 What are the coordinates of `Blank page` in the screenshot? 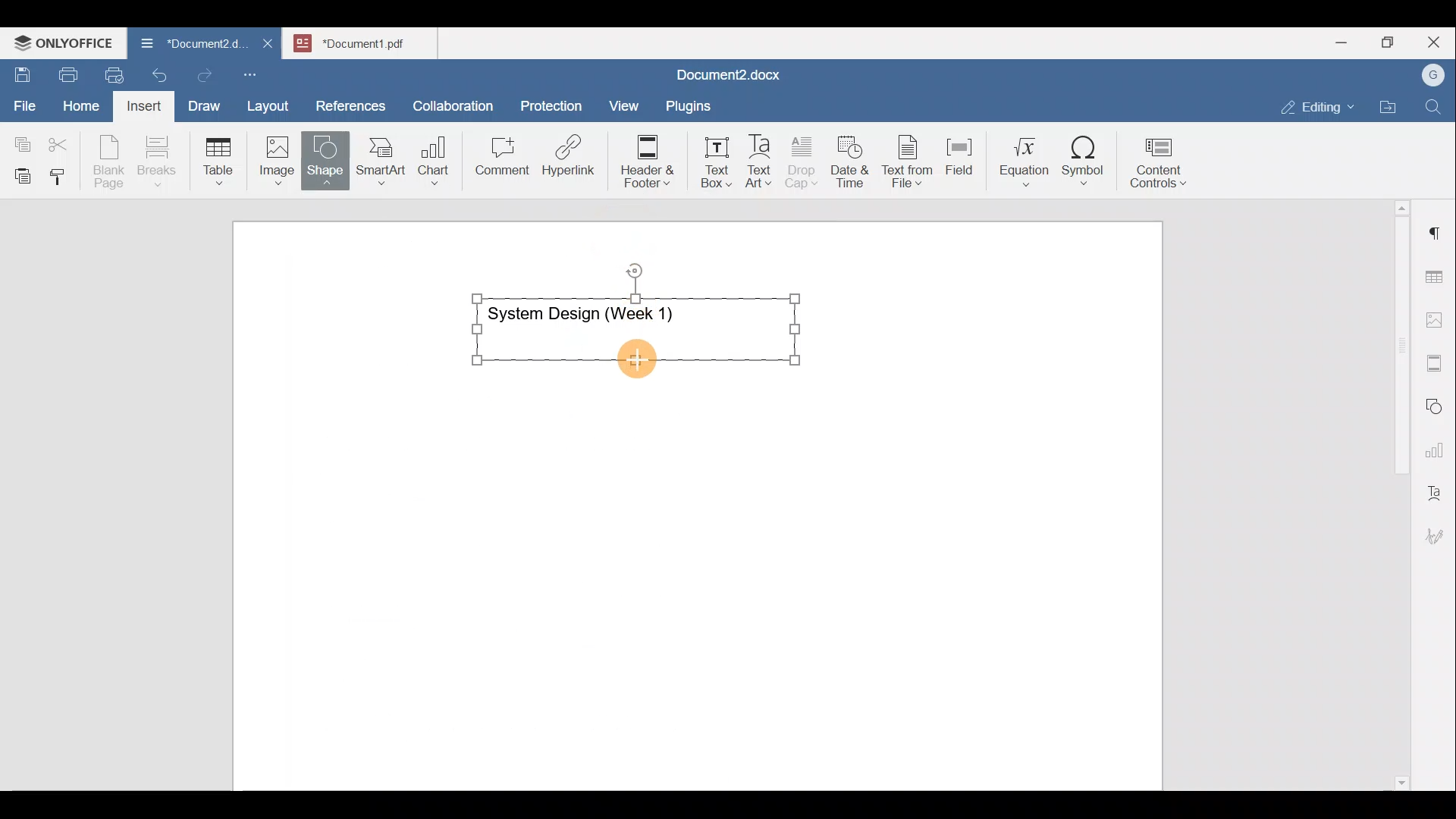 It's located at (111, 162).